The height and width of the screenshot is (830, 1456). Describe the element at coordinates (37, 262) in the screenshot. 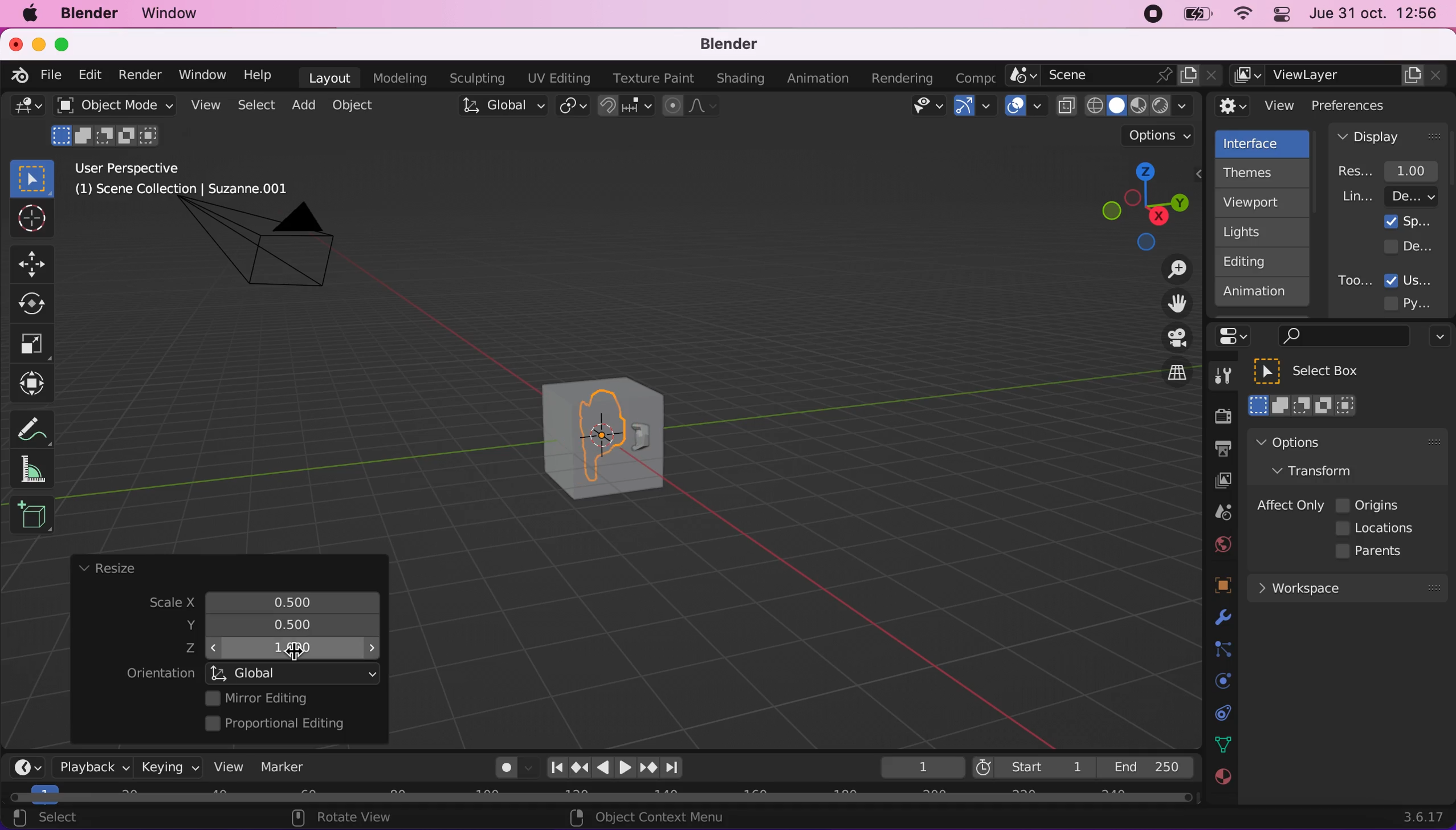

I see `` at that location.